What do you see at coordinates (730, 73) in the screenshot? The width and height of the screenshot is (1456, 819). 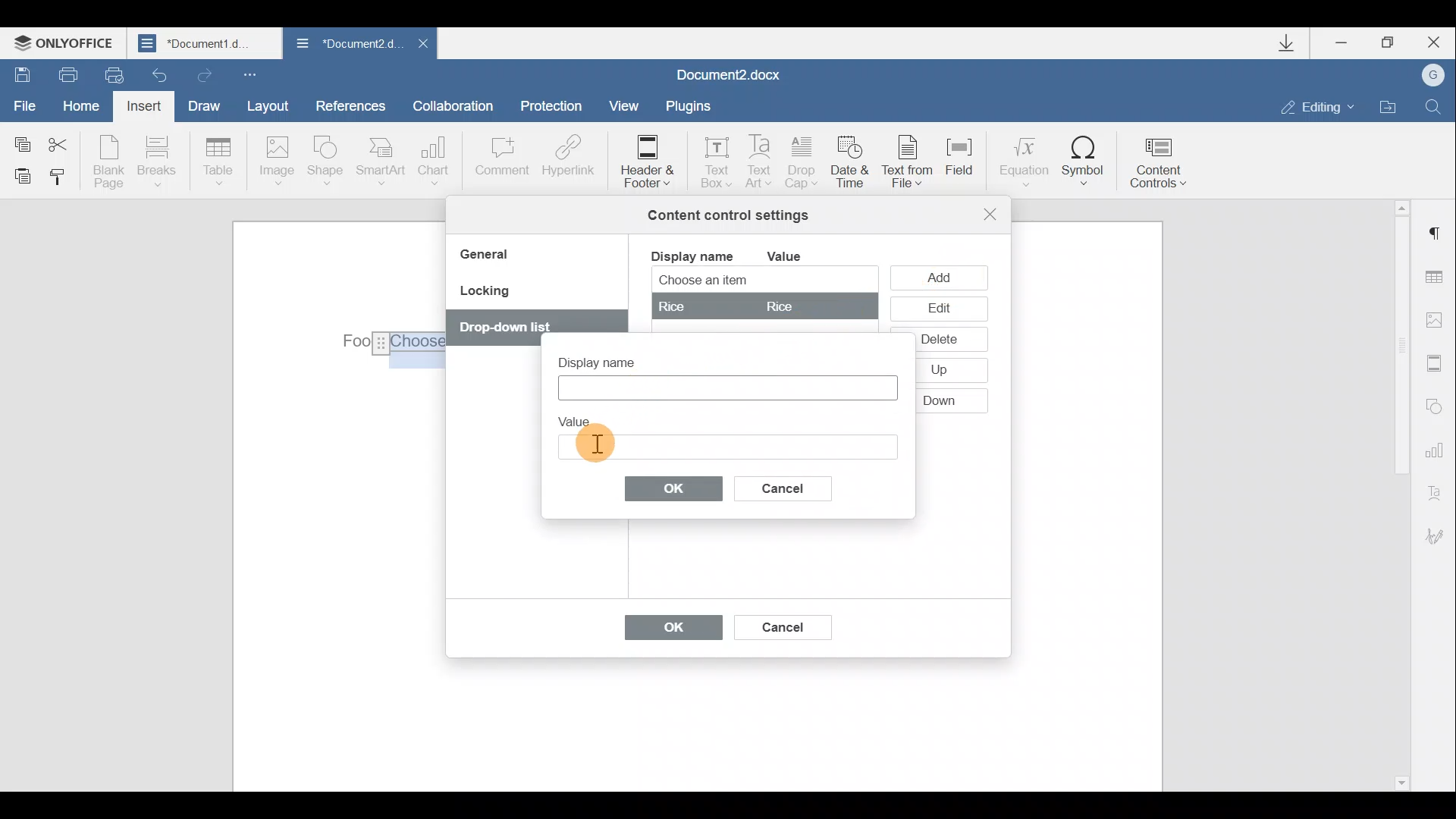 I see `Document2.docx` at bounding box center [730, 73].